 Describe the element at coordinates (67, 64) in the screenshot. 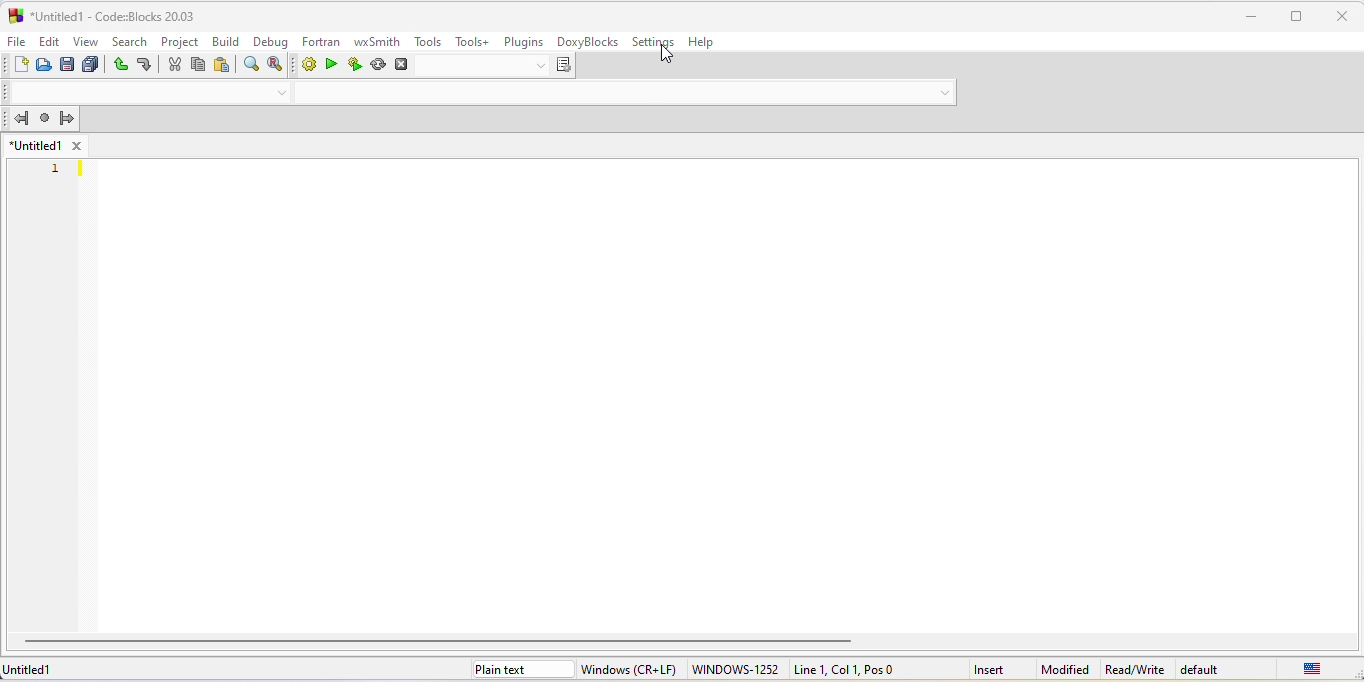

I see `save` at that location.